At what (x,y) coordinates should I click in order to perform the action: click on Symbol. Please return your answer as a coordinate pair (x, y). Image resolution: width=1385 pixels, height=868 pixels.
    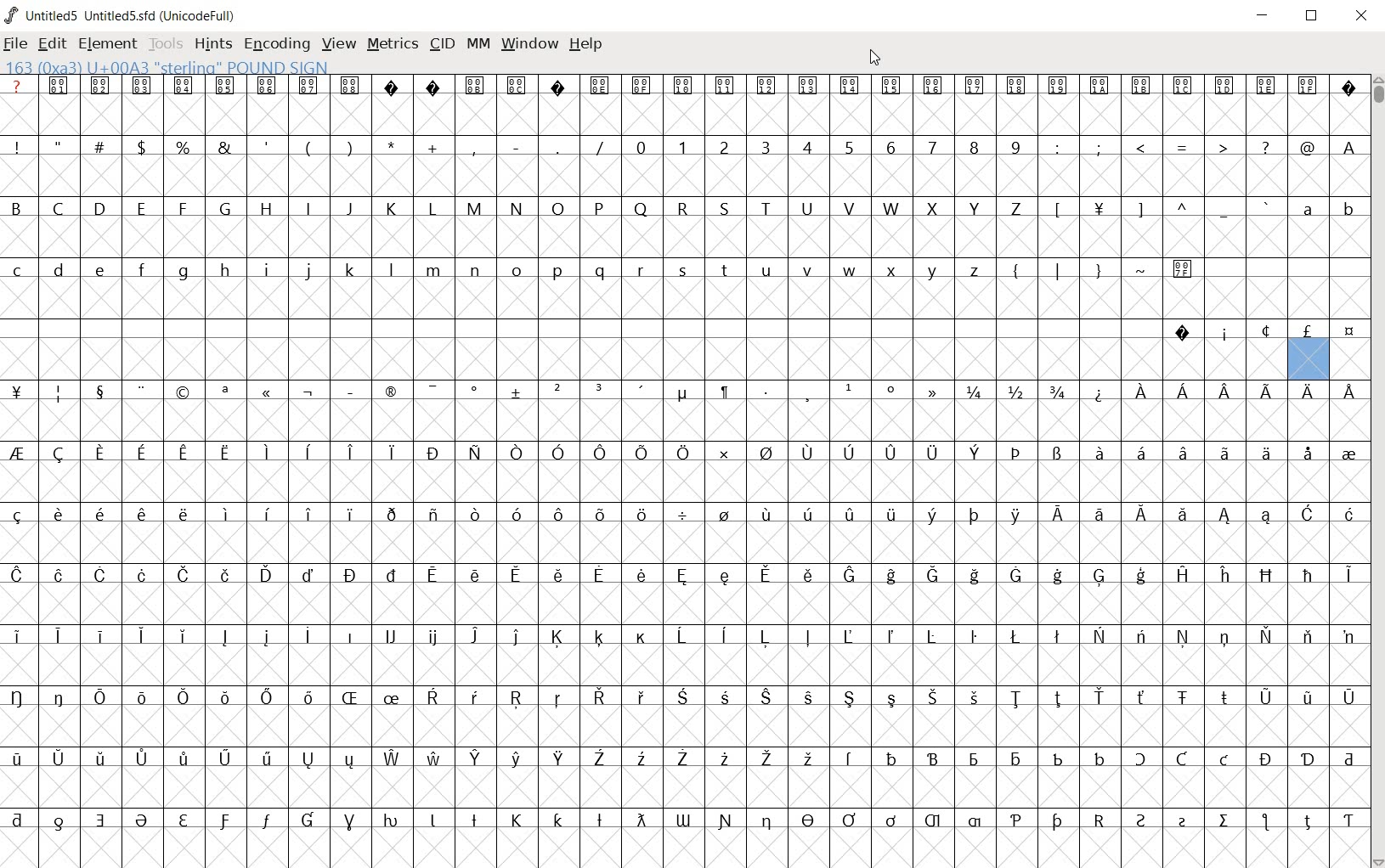
    Looking at the image, I should click on (477, 758).